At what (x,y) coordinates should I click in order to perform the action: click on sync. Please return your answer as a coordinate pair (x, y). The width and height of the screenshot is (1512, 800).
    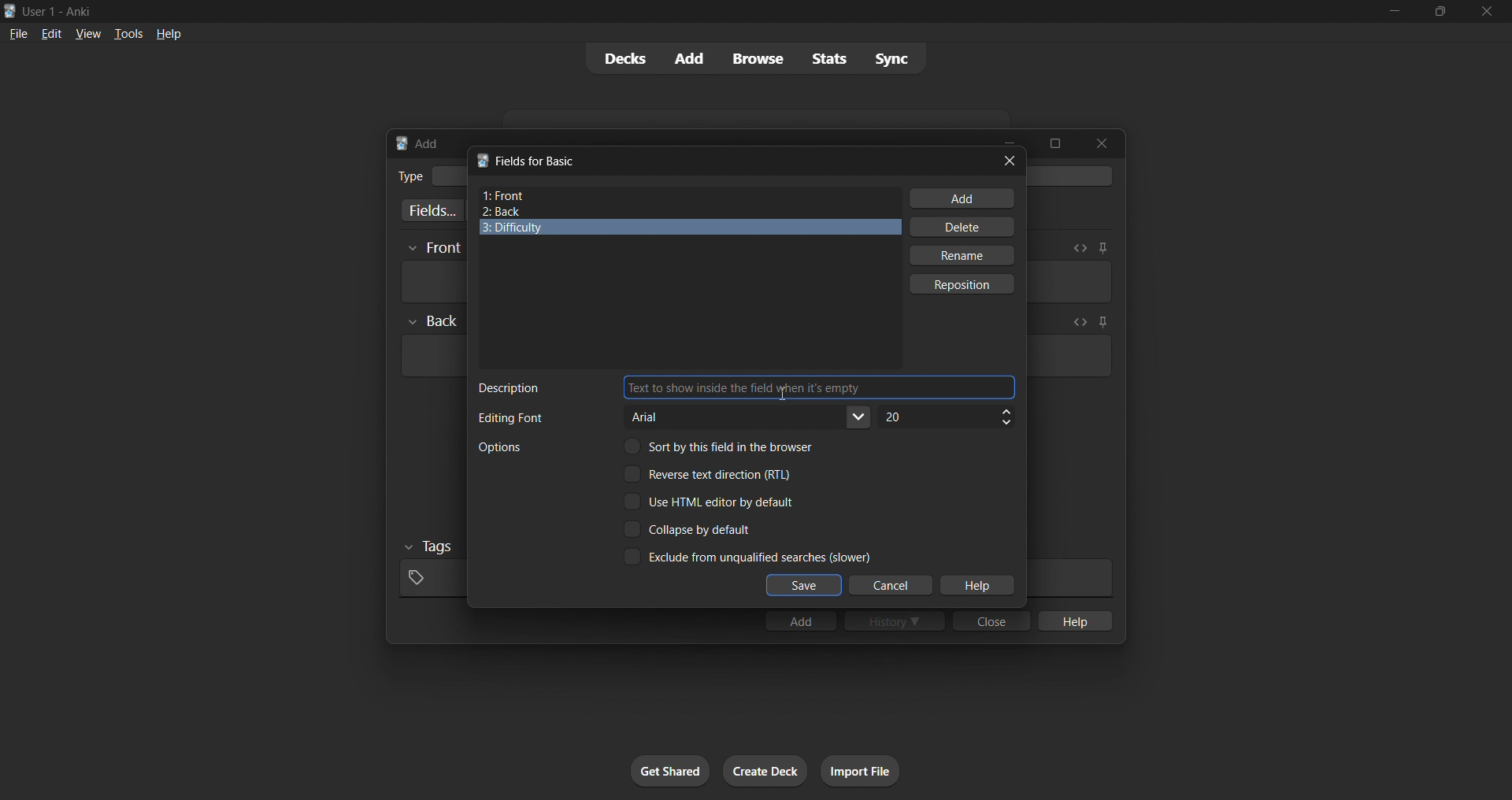
    Looking at the image, I should click on (891, 57).